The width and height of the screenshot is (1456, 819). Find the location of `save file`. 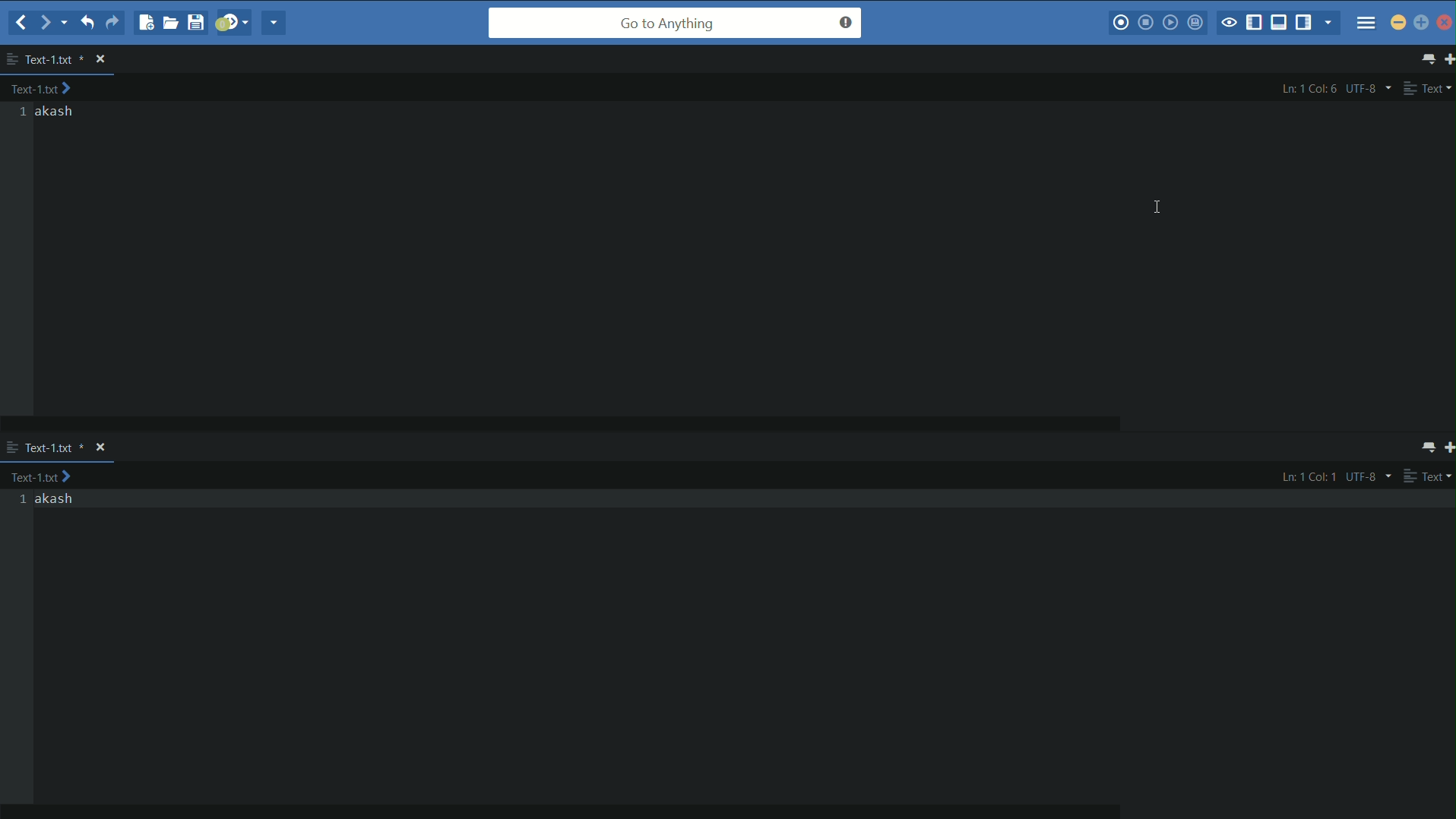

save file is located at coordinates (198, 22).